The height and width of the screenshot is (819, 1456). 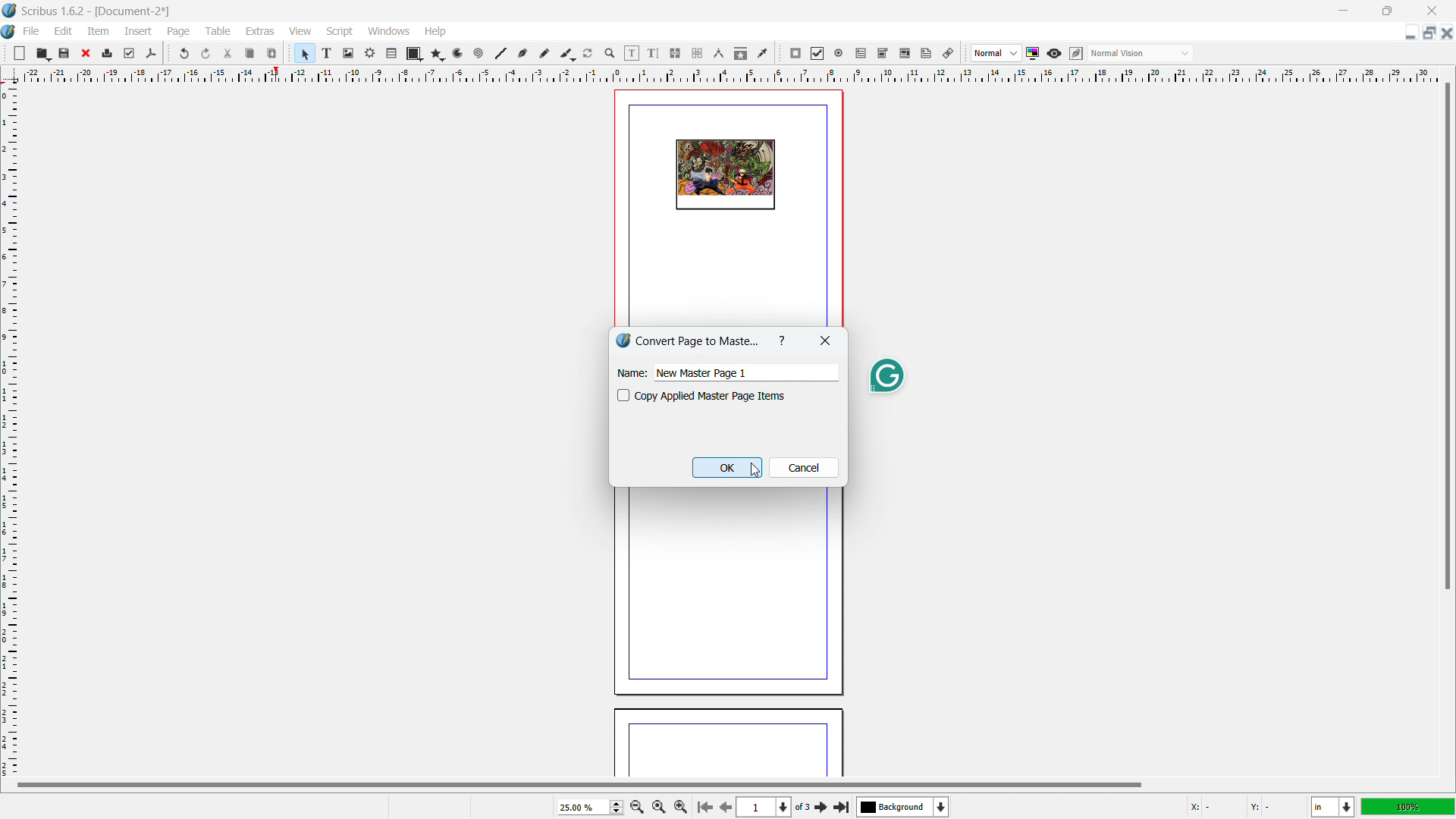 What do you see at coordinates (764, 808) in the screenshot?
I see `select the current page` at bounding box center [764, 808].